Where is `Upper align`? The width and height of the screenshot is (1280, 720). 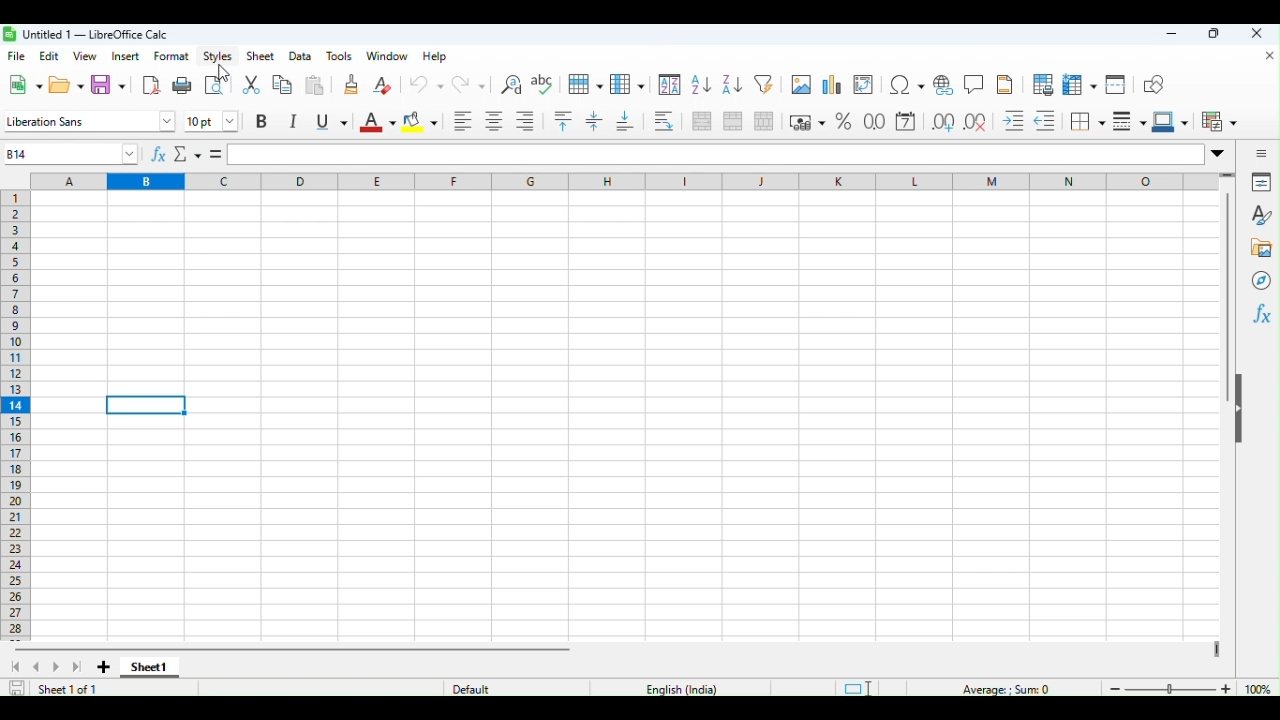
Upper align is located at coordinates (561, 123).